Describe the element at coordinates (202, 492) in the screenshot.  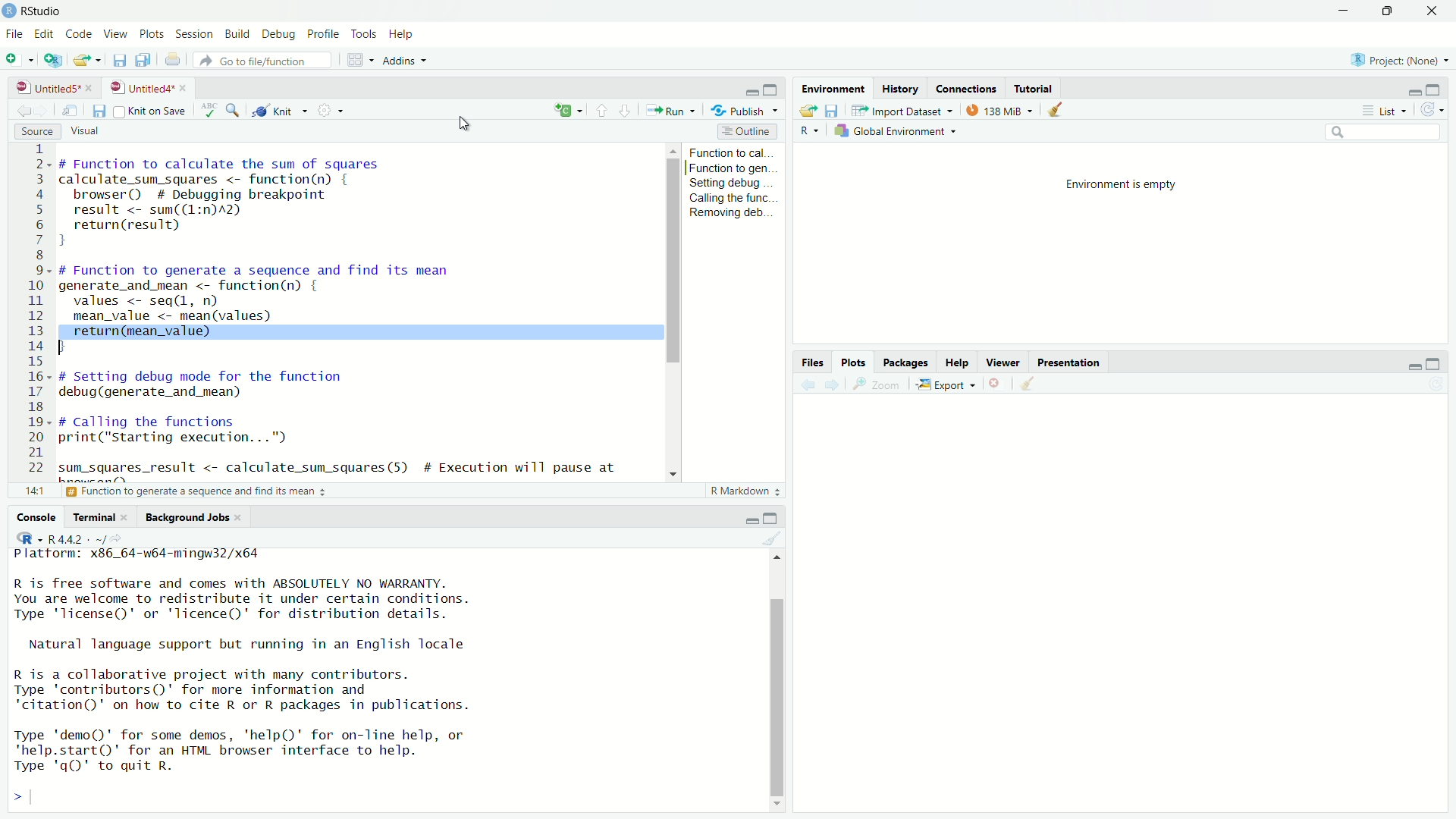
I see `function to generate a sequence and find its mean` at that location.